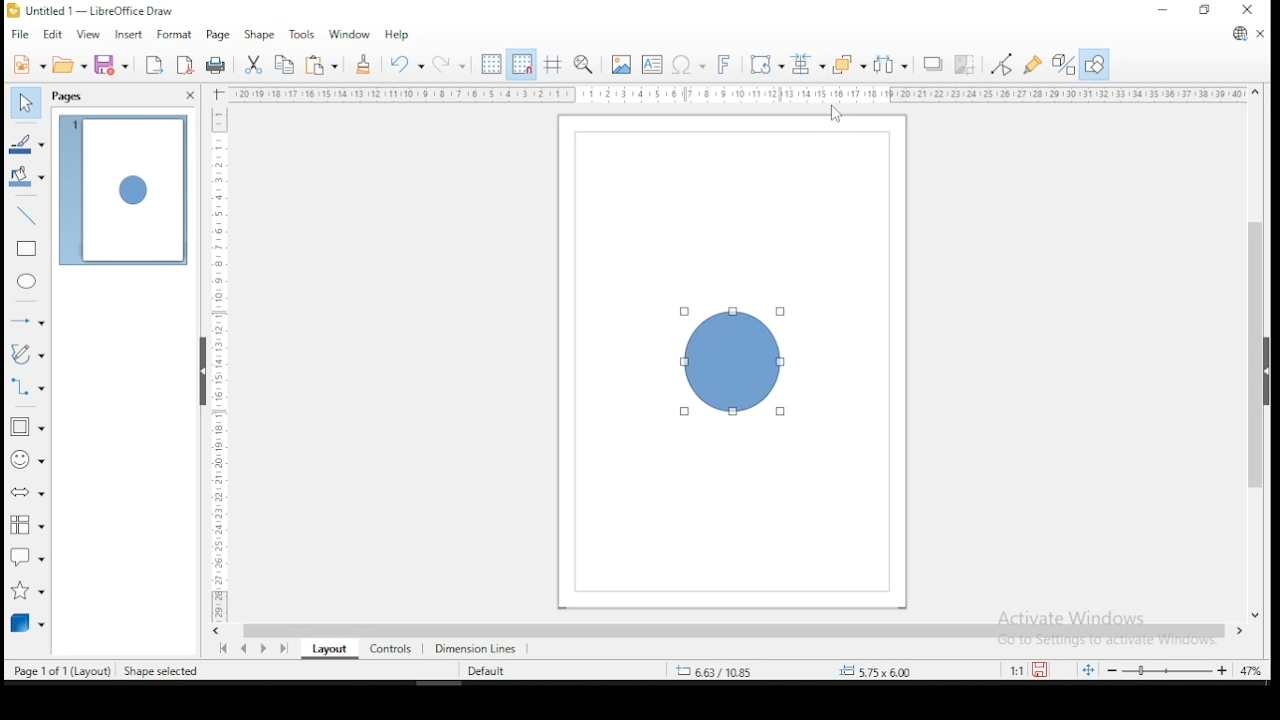  Describe the element at coordinates (892, 64) in the screenshot. I see `select at leat three items to distribute` at that location.